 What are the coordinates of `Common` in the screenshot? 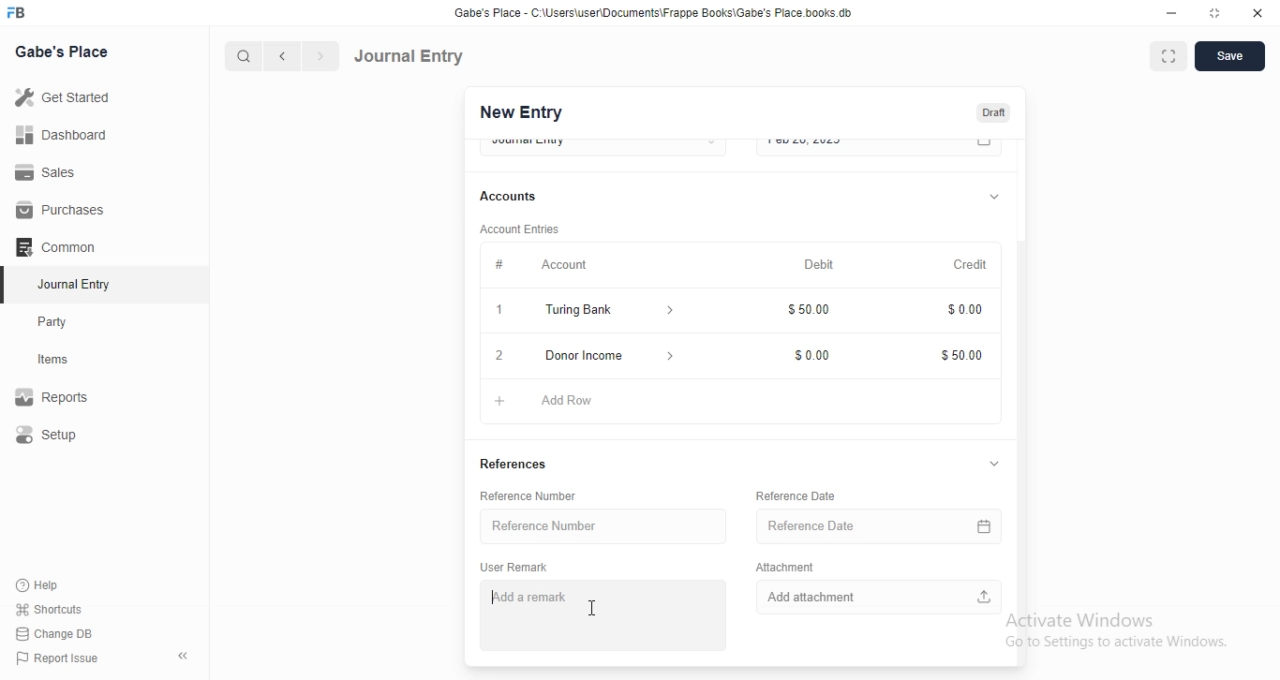 It's located at (61, 247).